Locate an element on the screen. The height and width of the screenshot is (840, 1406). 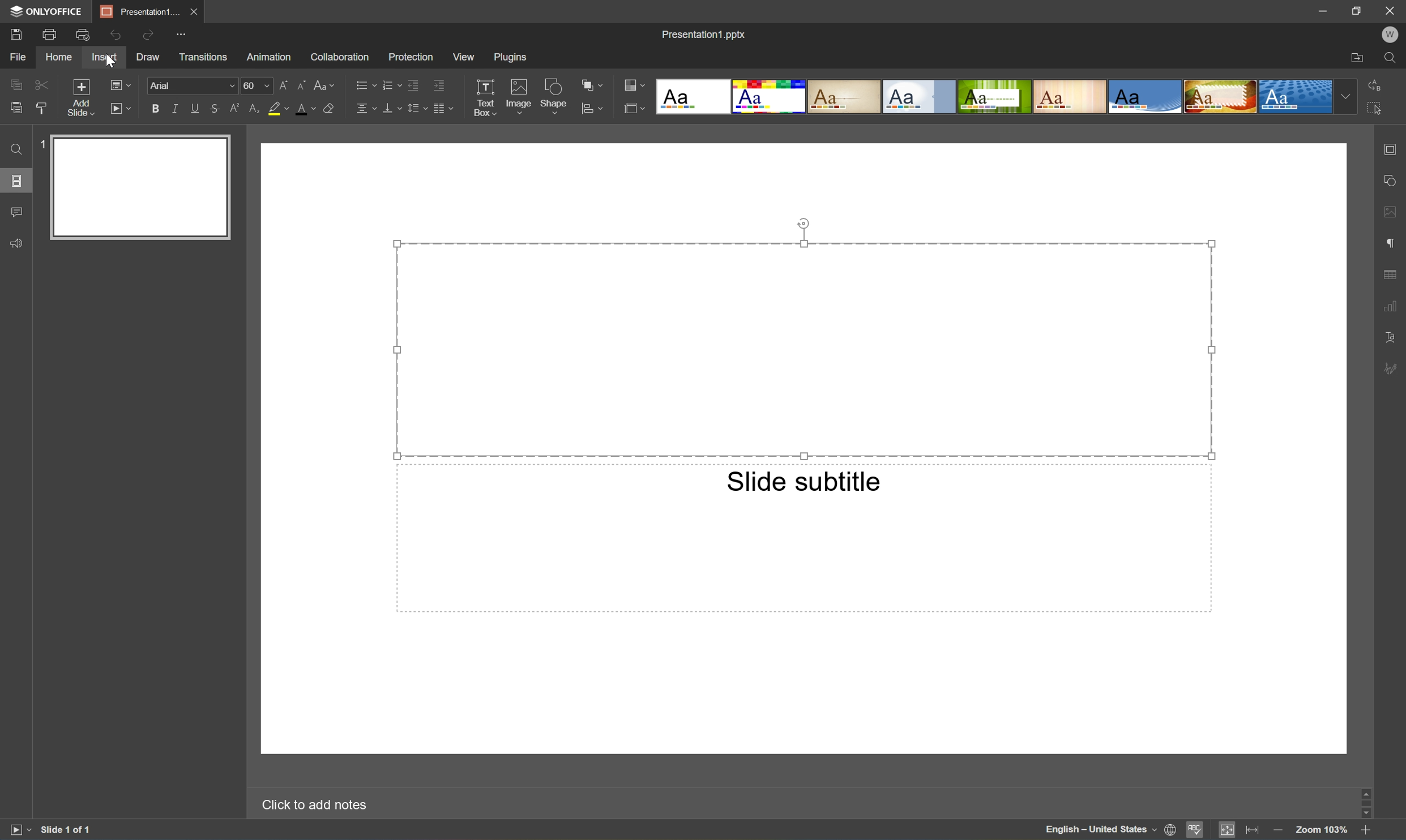
Presentation1... is located at coordinates (137, 11).